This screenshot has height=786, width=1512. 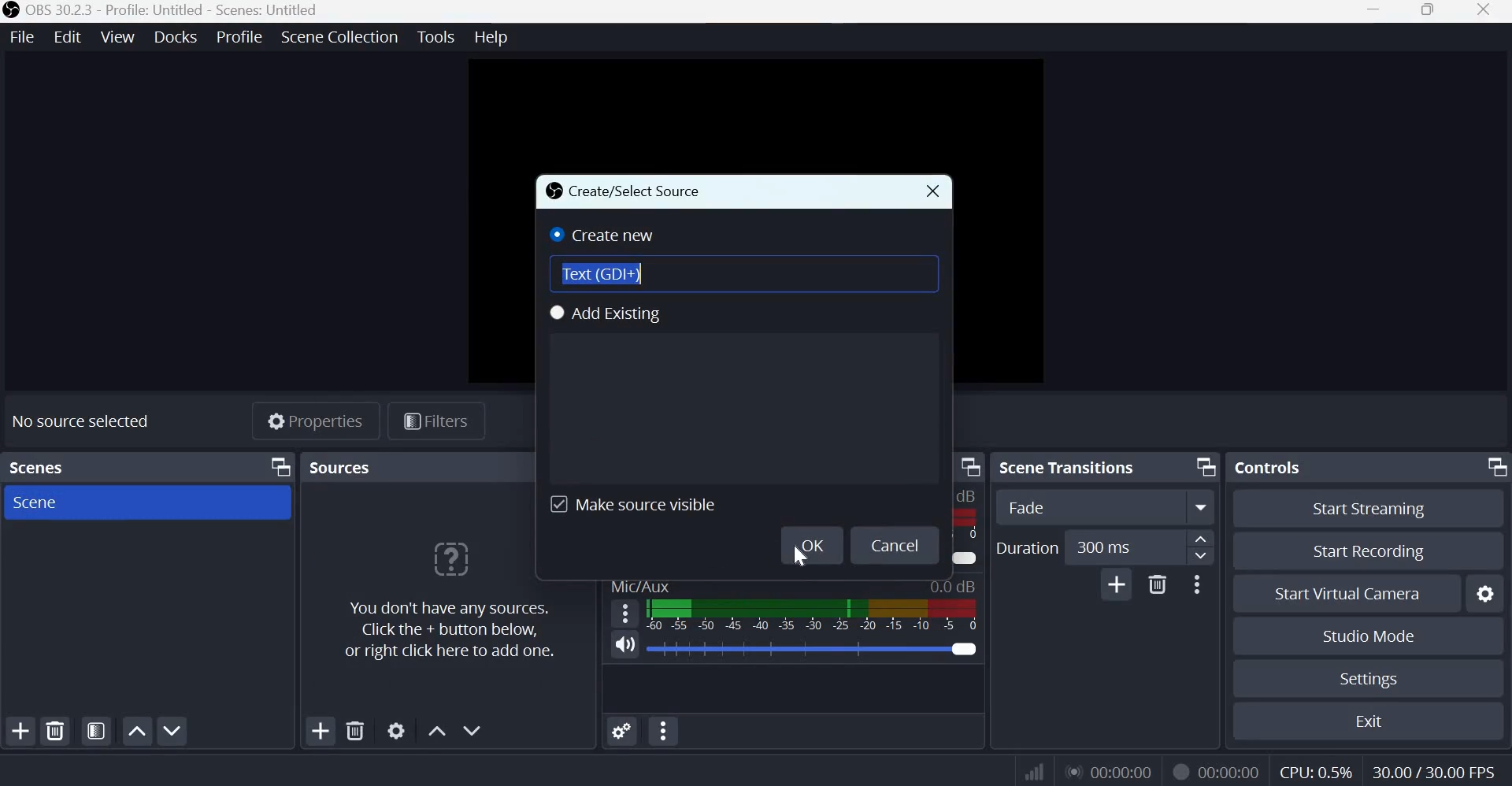 I want to click on Scene transitions, so click(x=1070, y=466).